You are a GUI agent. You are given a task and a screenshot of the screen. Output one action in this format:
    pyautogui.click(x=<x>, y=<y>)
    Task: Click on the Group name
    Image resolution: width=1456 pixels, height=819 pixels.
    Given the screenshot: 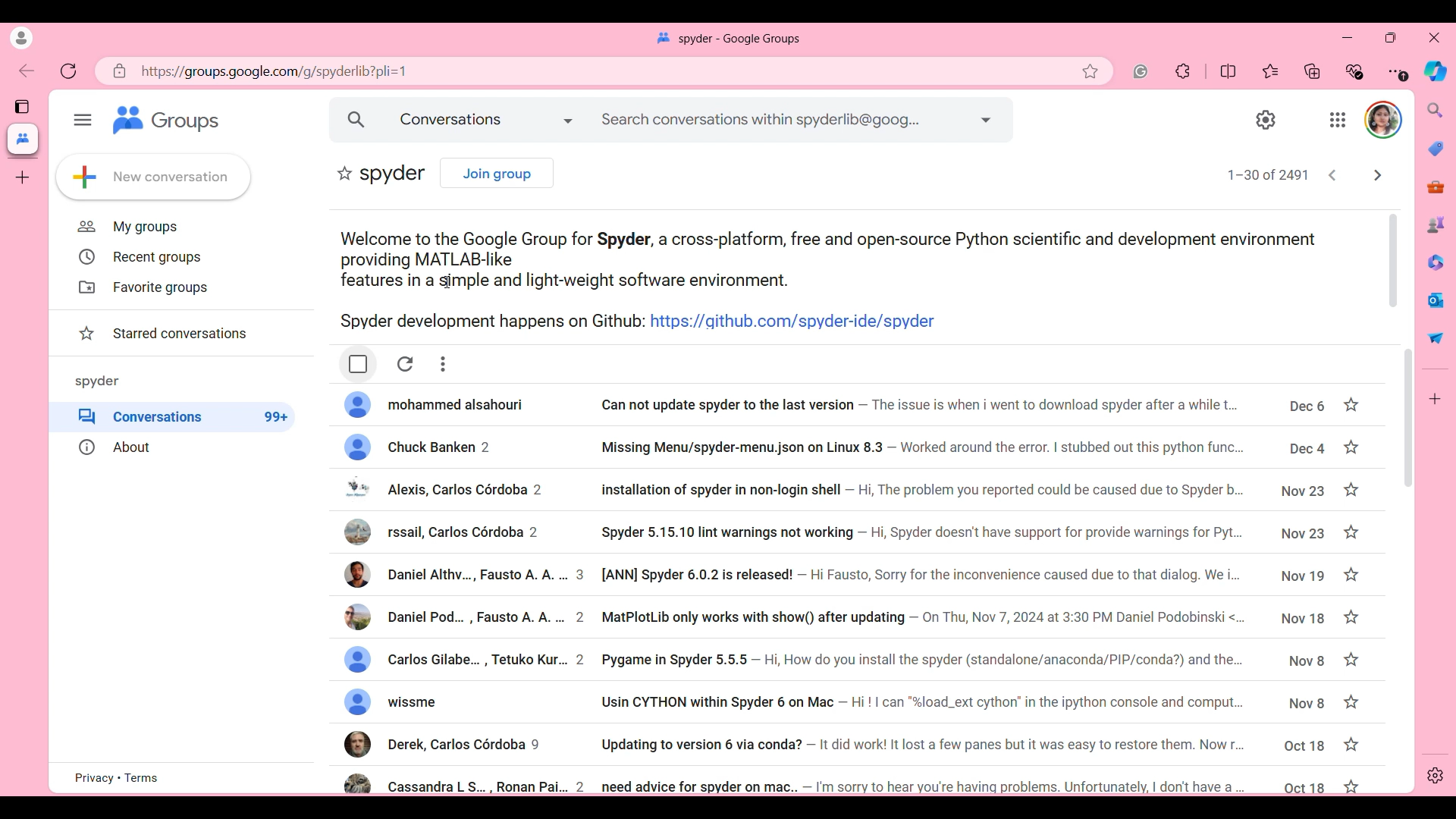 What is the action you would take?
    pyautogui.click(x=394, y=174)
    